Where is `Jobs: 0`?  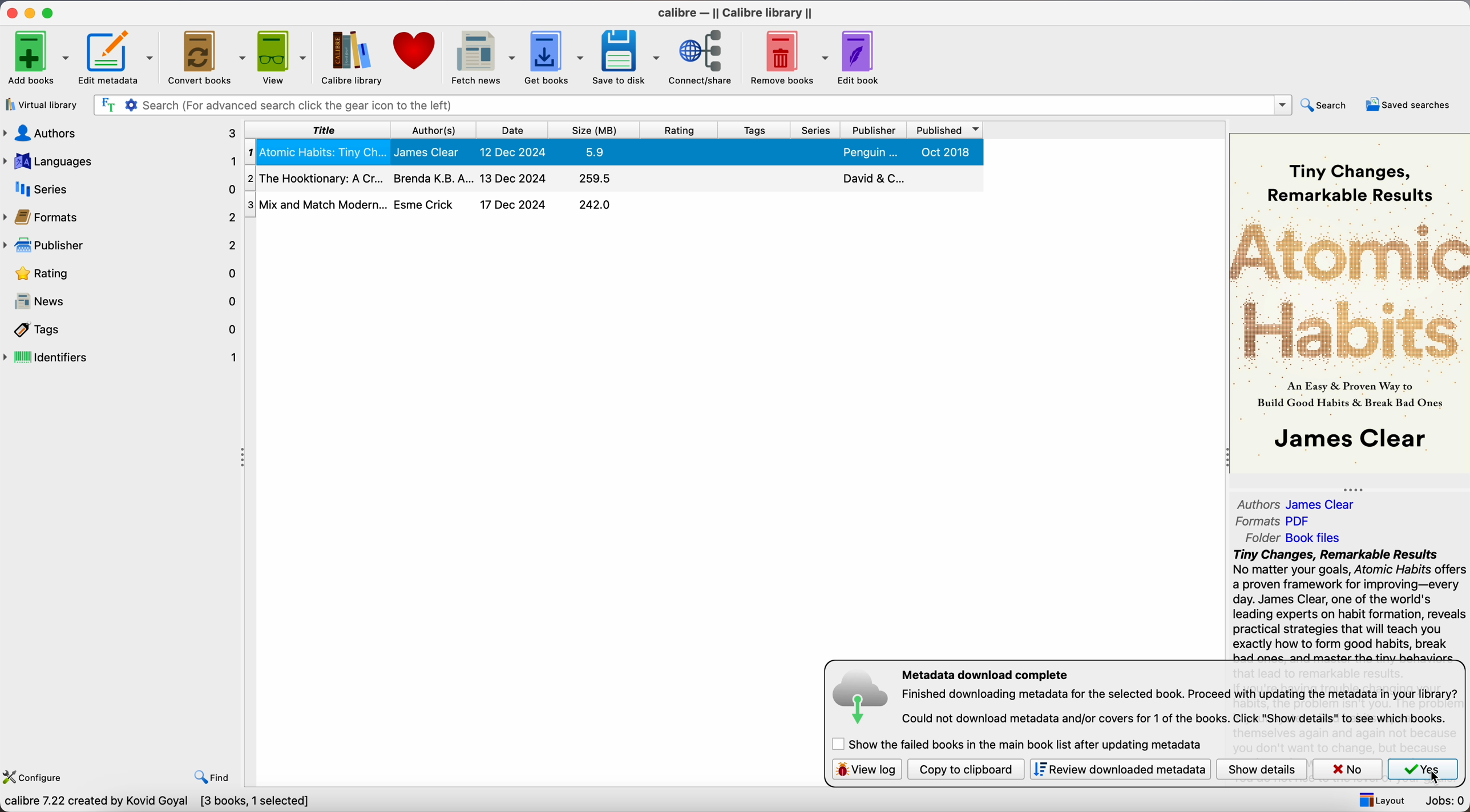
Jobs: 0 is located at coordinates (1445, 799).